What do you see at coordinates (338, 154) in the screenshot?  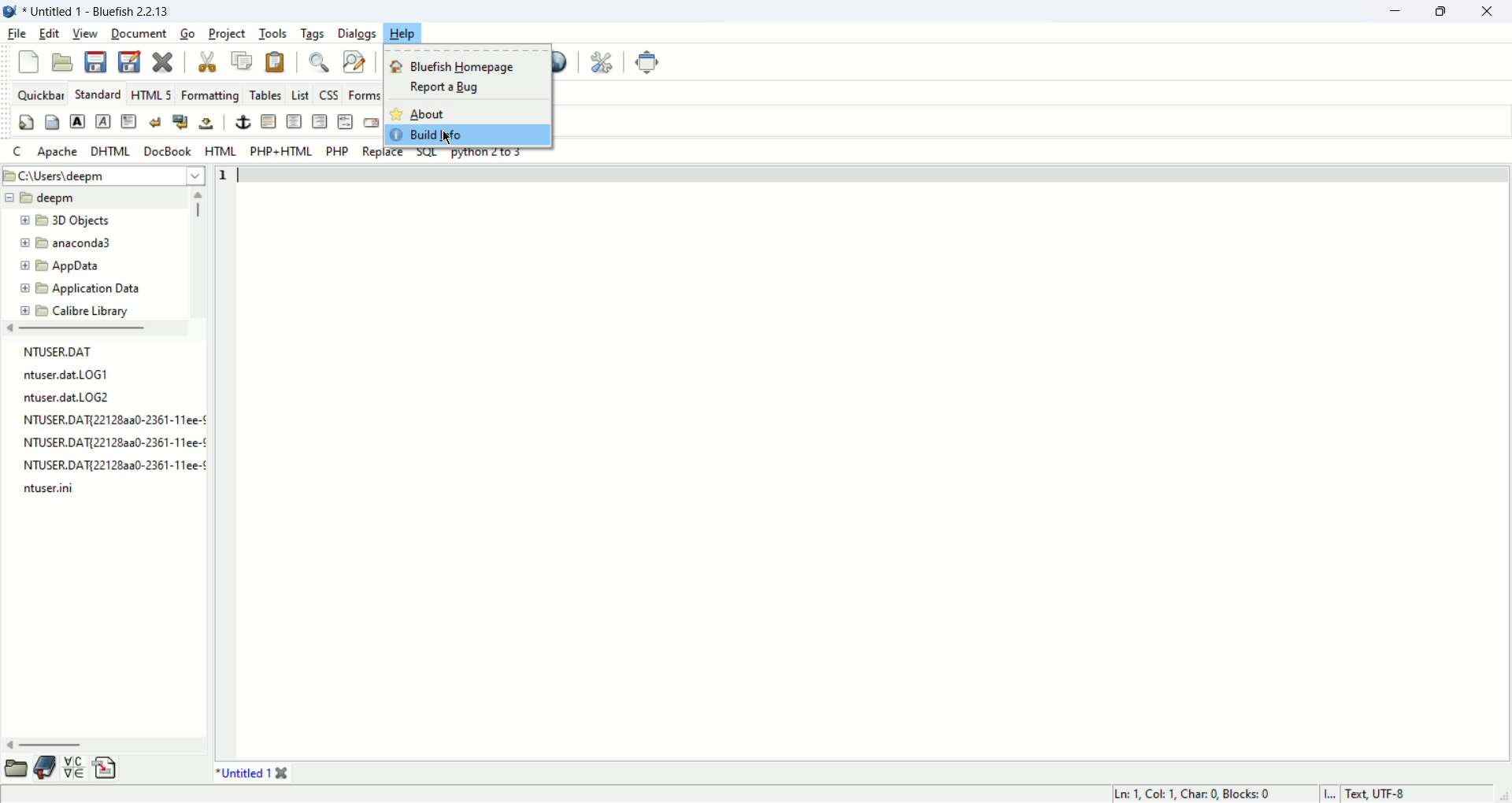 I see `PHP` at bounding box center [338, 154].